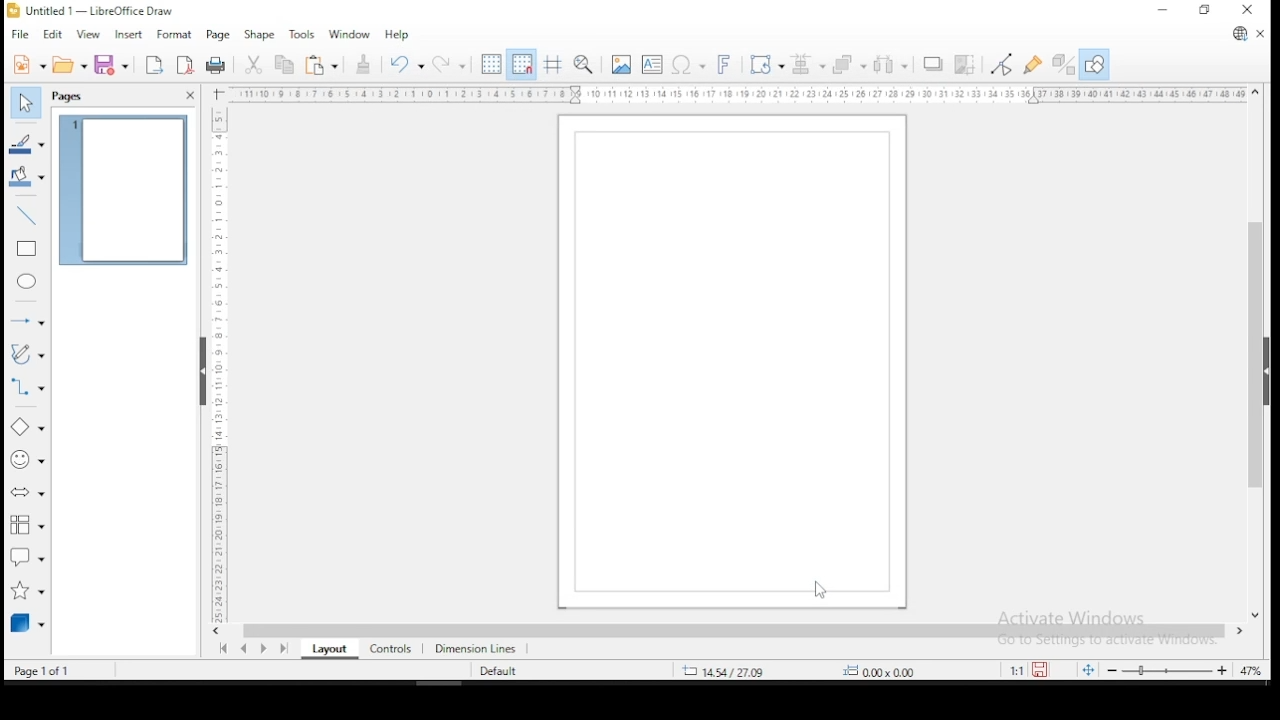 The width and height of the screenshot is (1280, 720). Describe the element at coordinates (818, 589) in the screenshot. I see `cursor` at that location.